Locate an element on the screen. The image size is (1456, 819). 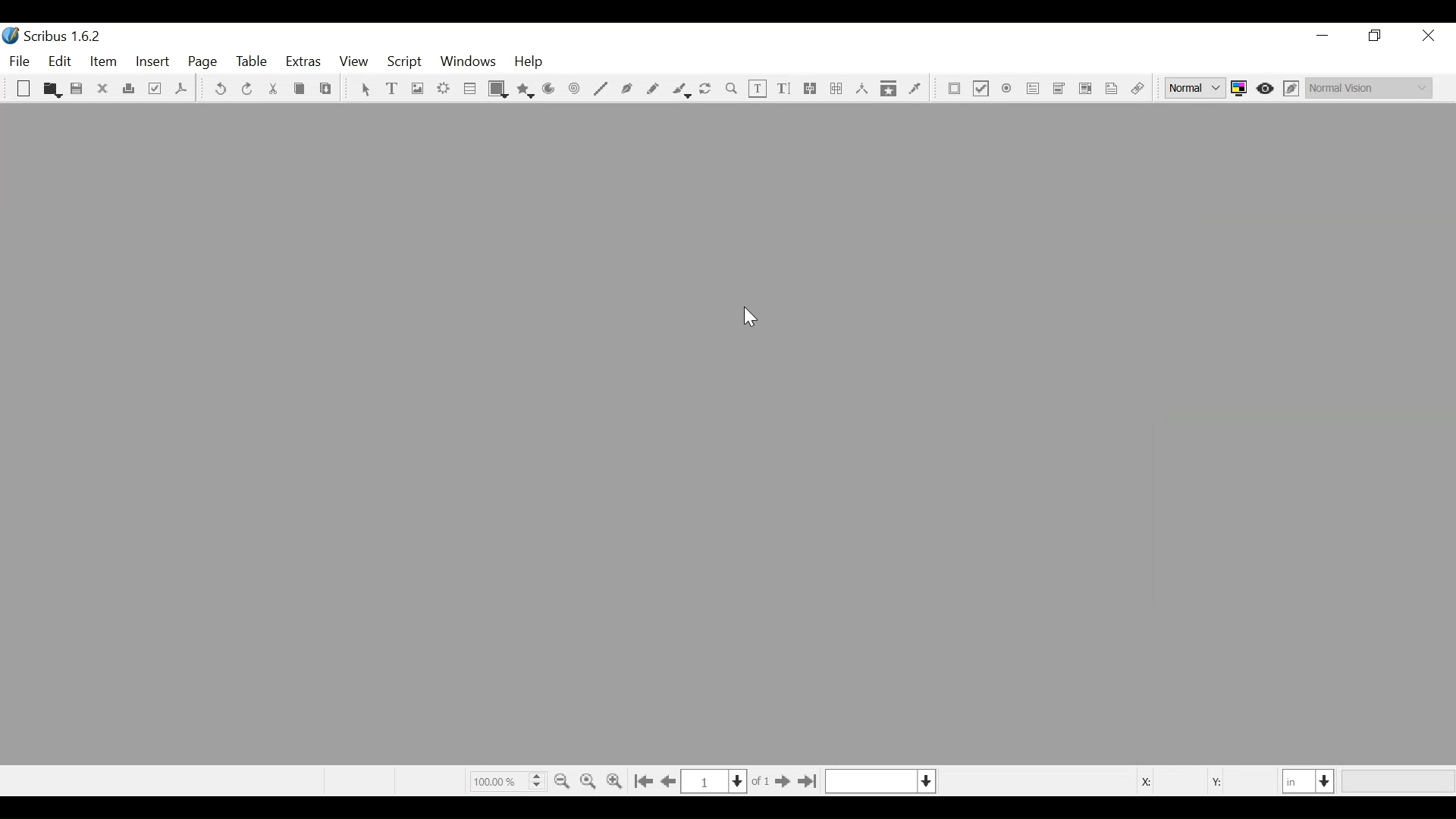
Zoom in is located at coordinates (617, 780).